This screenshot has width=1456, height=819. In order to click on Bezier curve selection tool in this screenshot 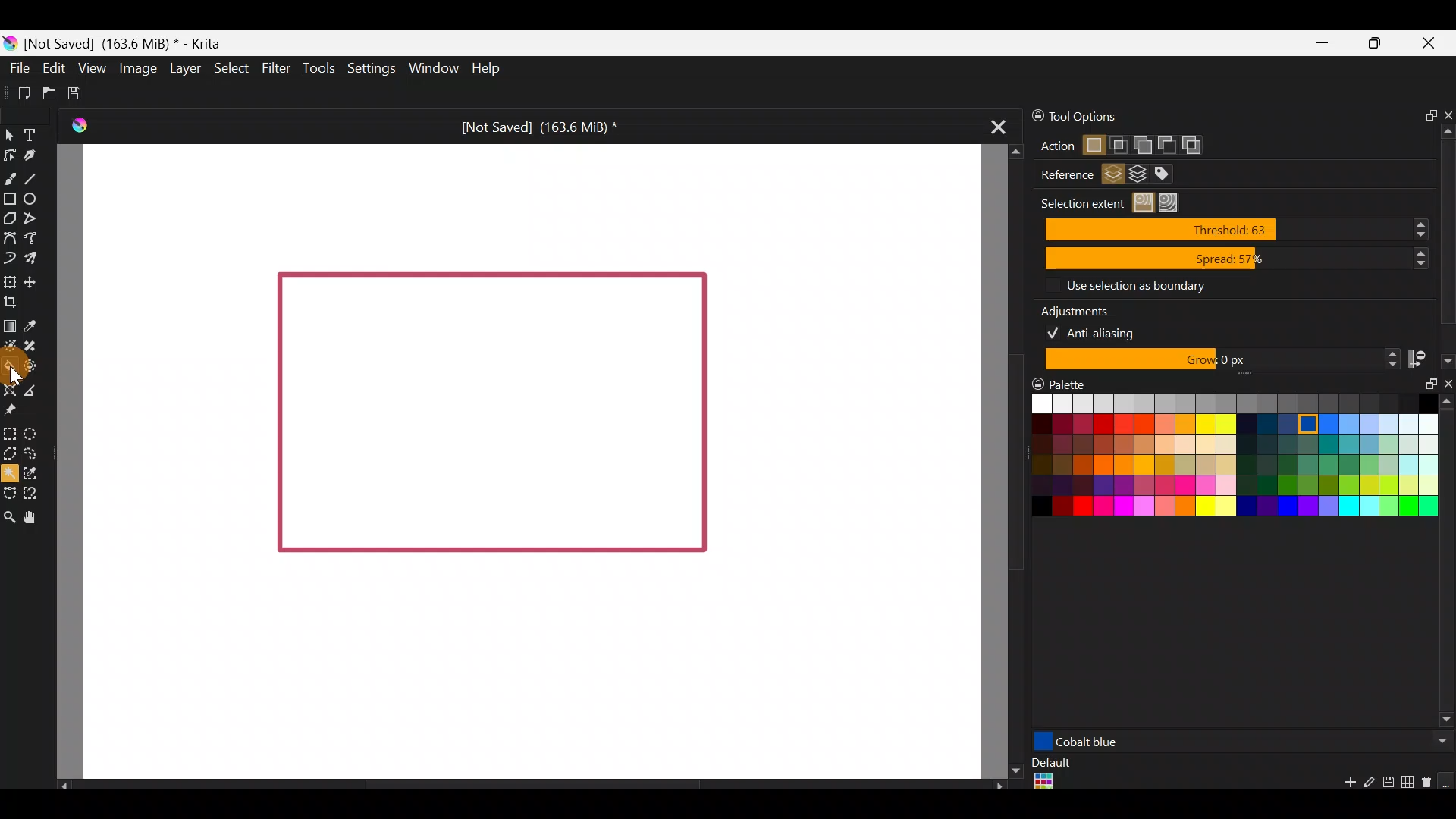, I will do `click(9, 494)`.